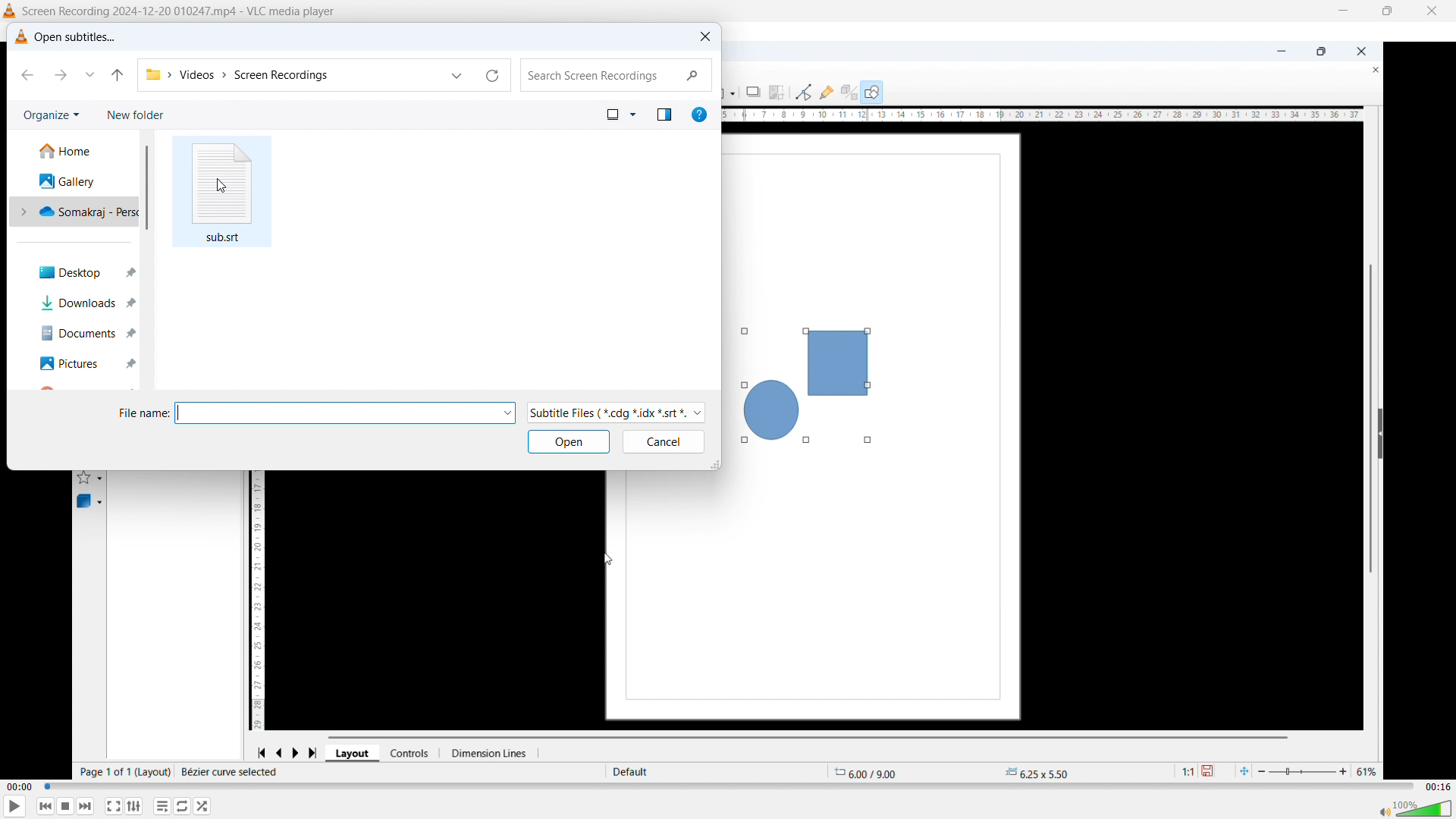 Image resolution: width=1456 pixels, height=819 pixels. I want to click on screen recording, so click(293, 75).